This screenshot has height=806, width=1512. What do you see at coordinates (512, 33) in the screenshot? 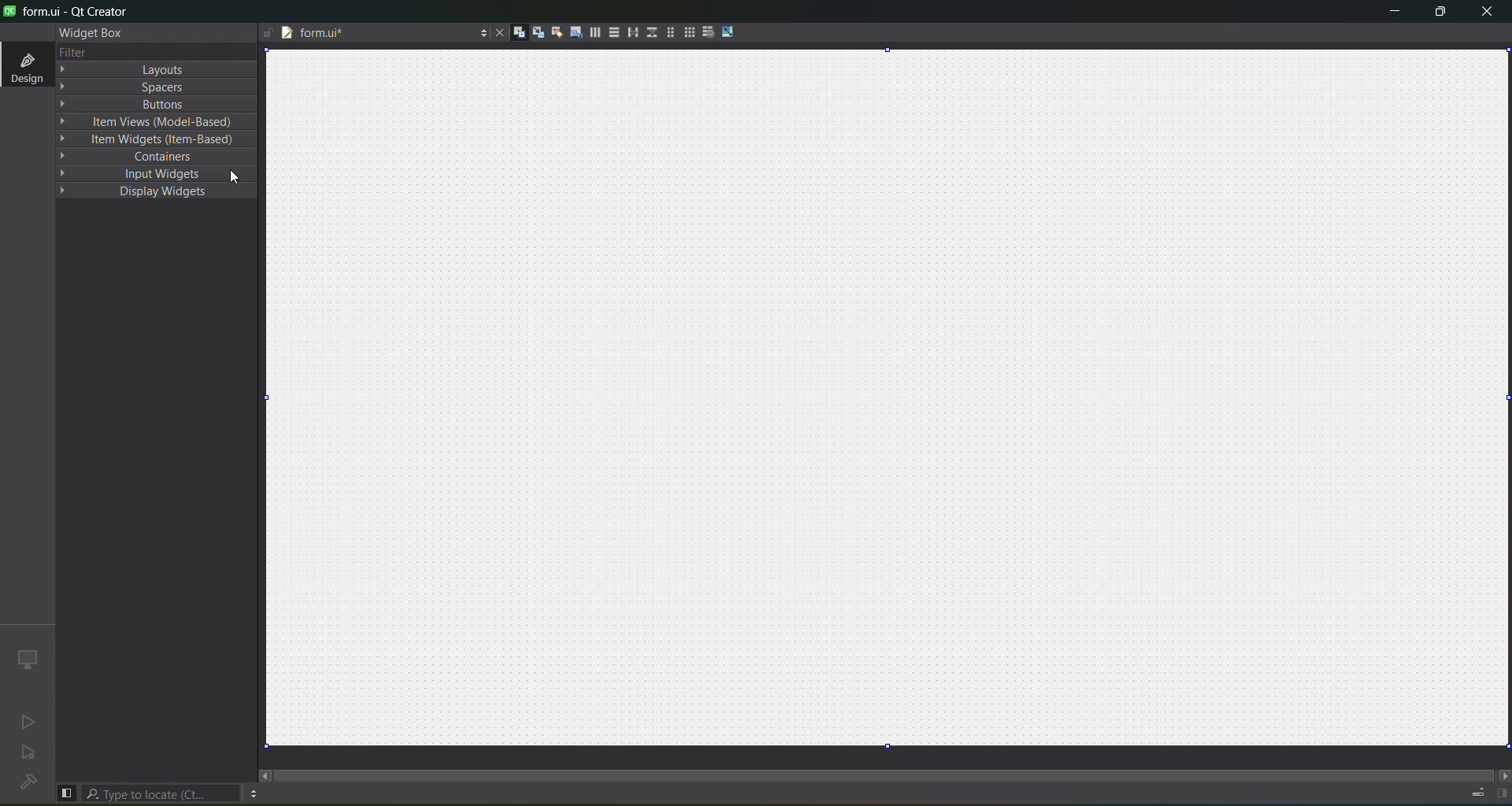
I see `widgets` at bounding box center [512, 33].